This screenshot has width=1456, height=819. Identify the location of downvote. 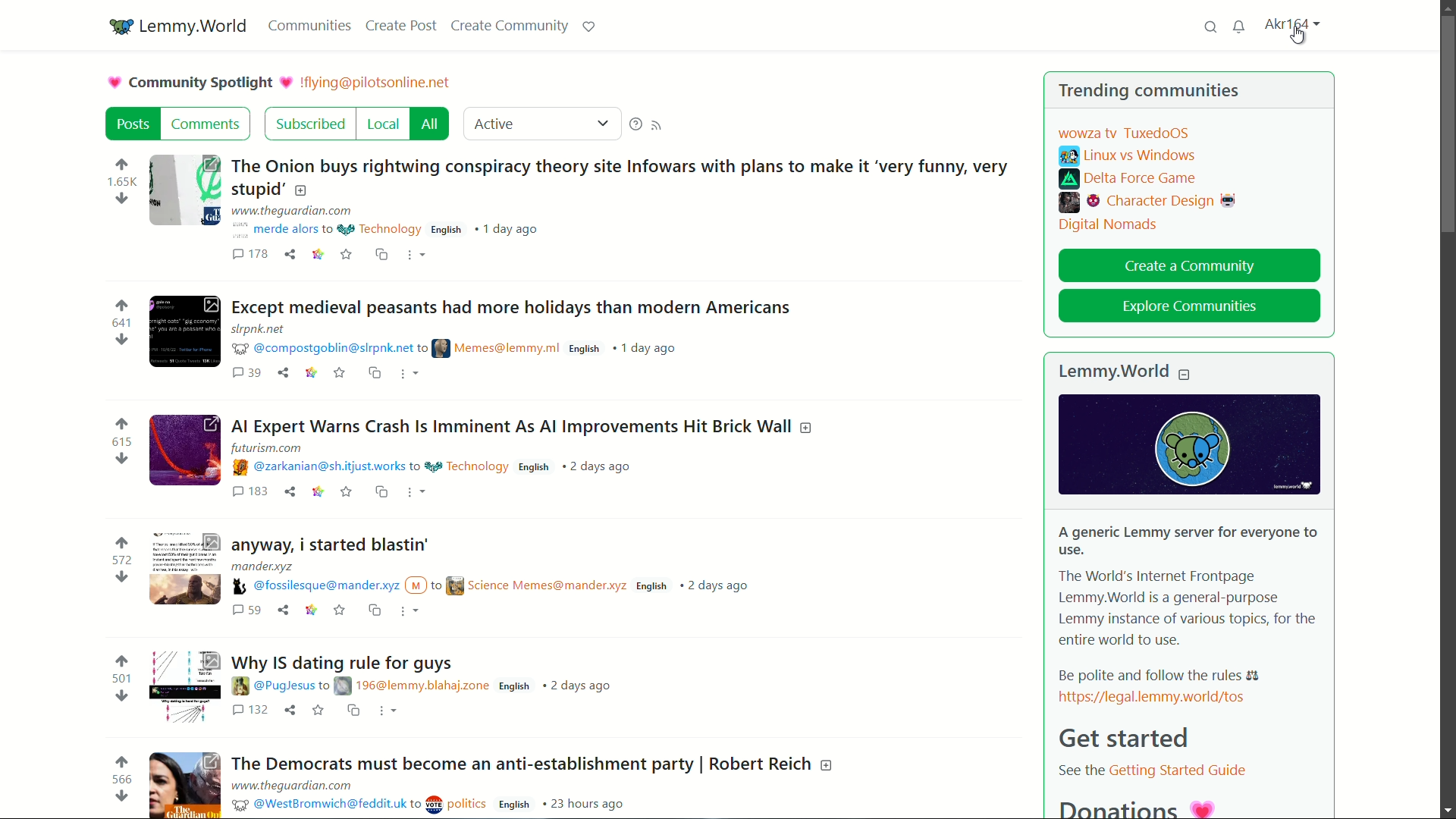
(121, 459).